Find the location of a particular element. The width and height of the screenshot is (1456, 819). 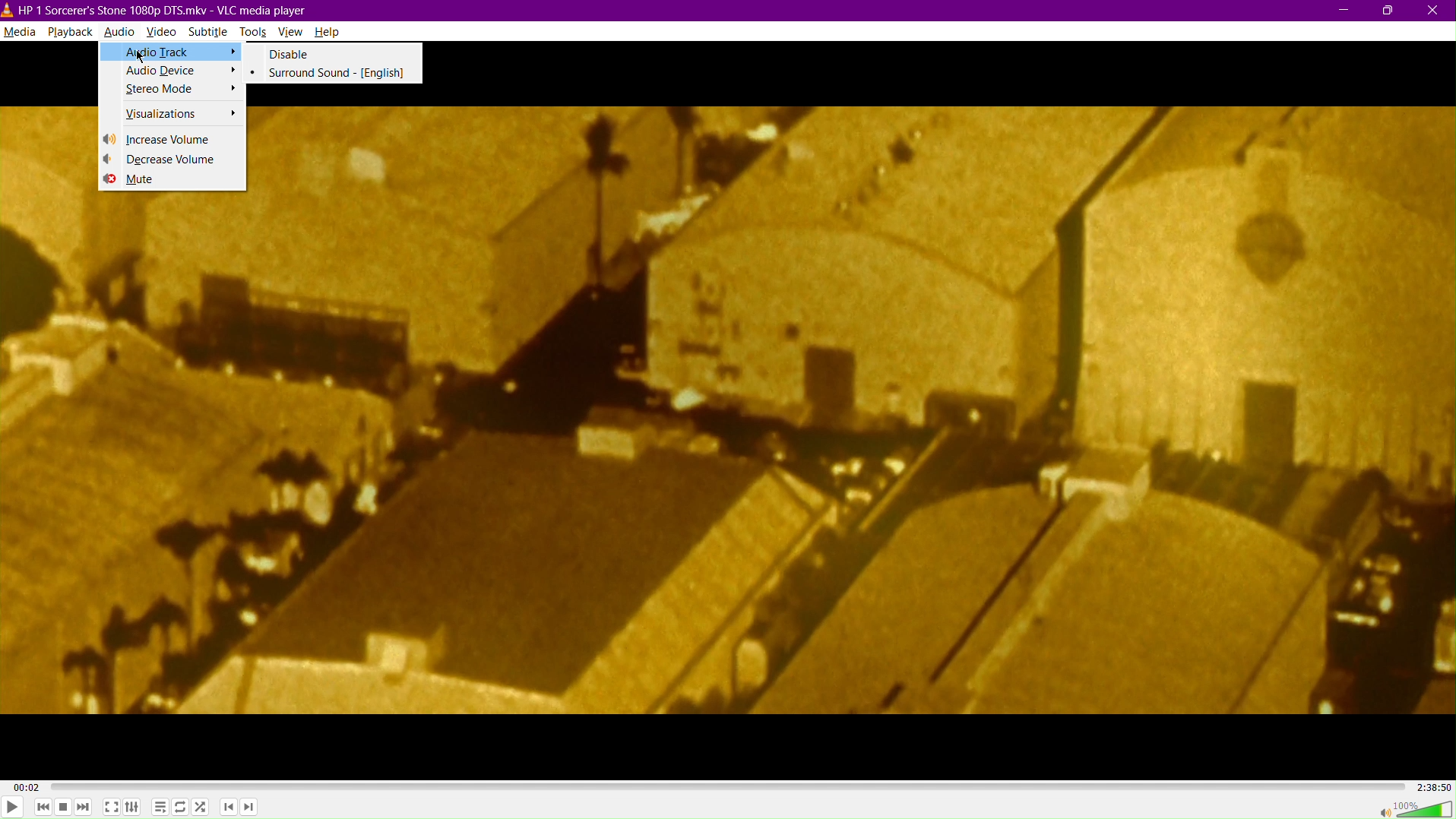

Audio Device is located at coordinates (170, 71).